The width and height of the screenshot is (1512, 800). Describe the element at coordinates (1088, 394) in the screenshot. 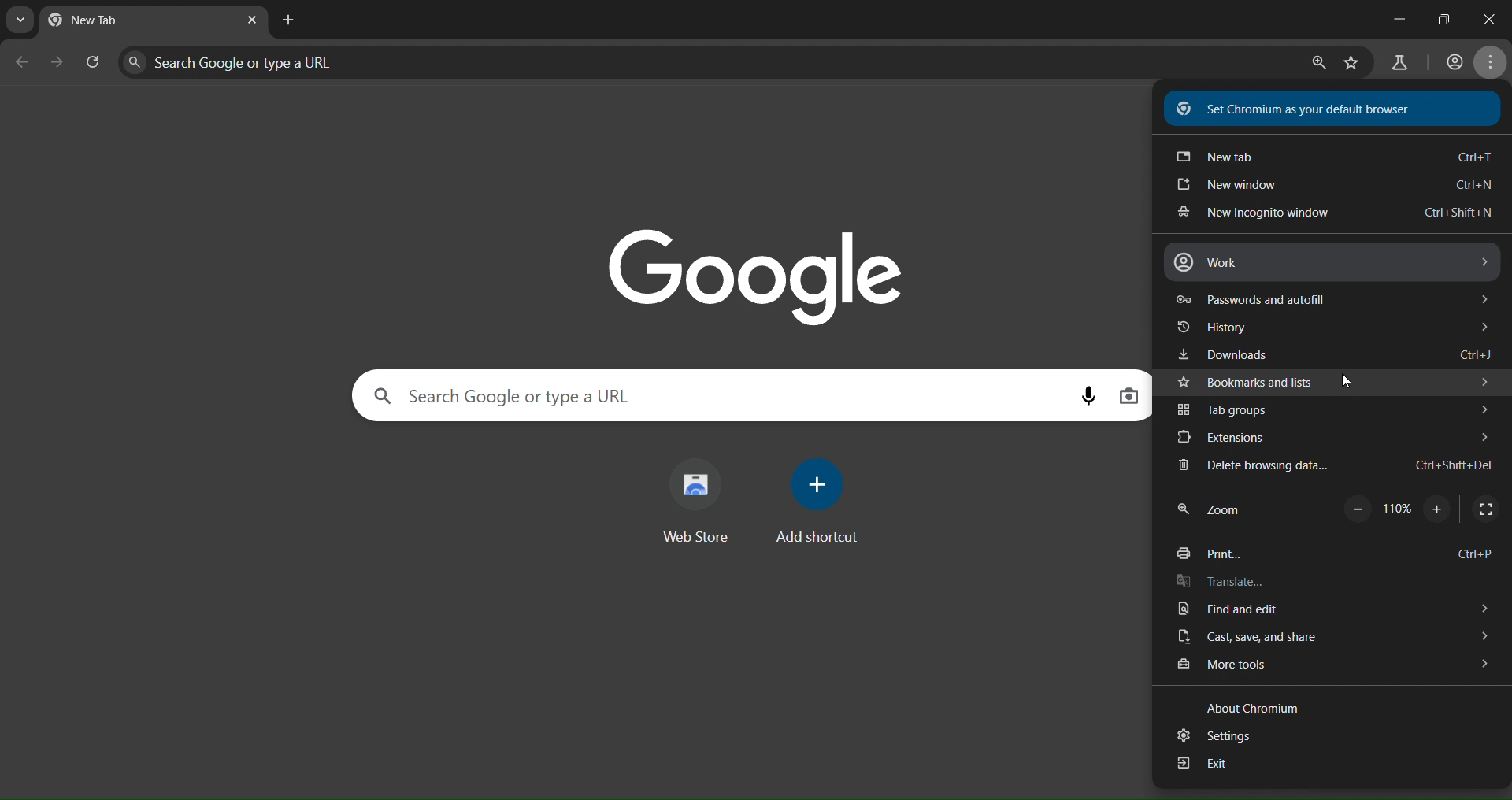

I see `voice search` at that location.